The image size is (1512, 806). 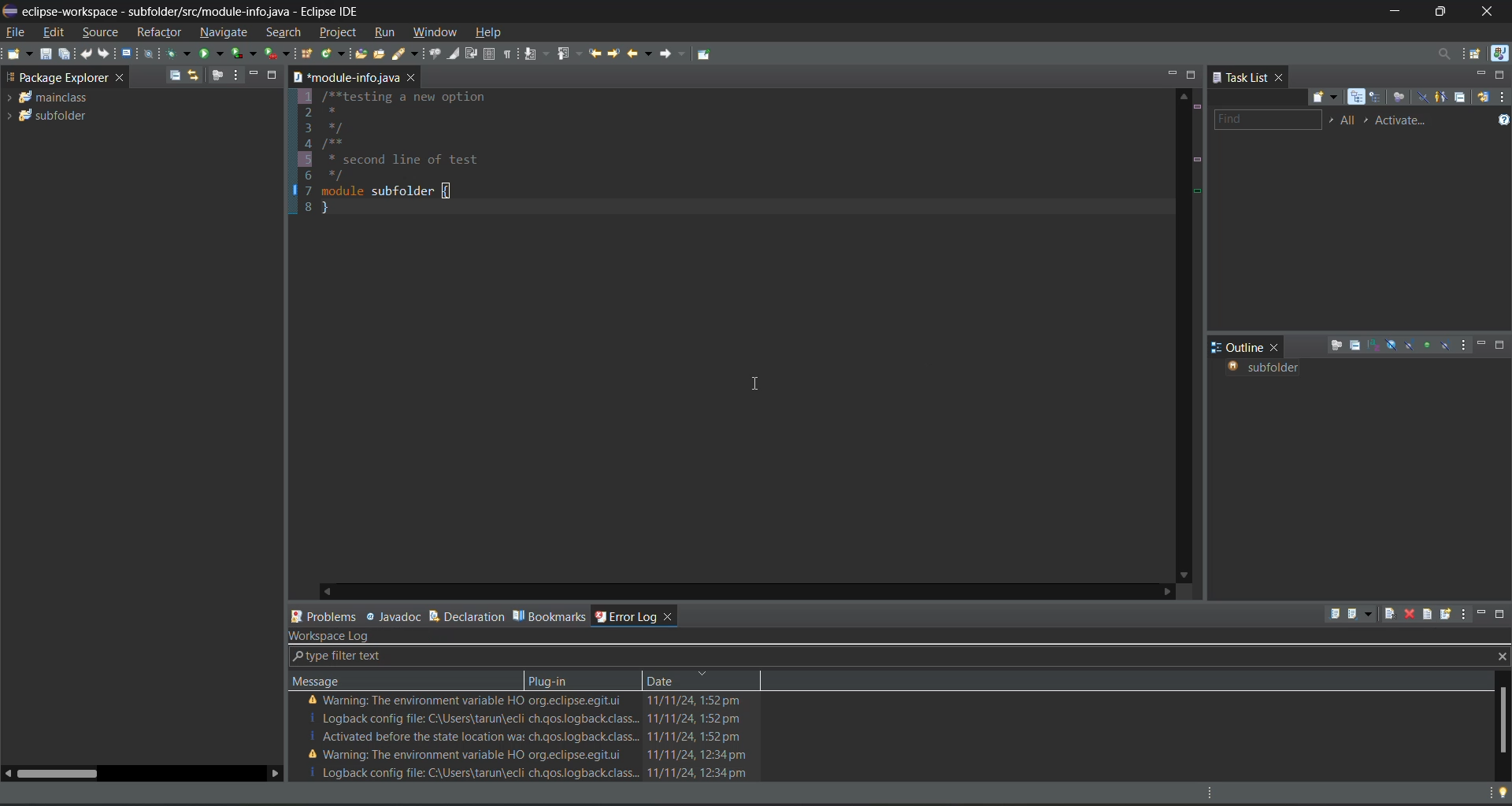 What do you see at coordinates (594, 54) in the screenshot?
I see `previous edit location` at bounding box center [594, 54].